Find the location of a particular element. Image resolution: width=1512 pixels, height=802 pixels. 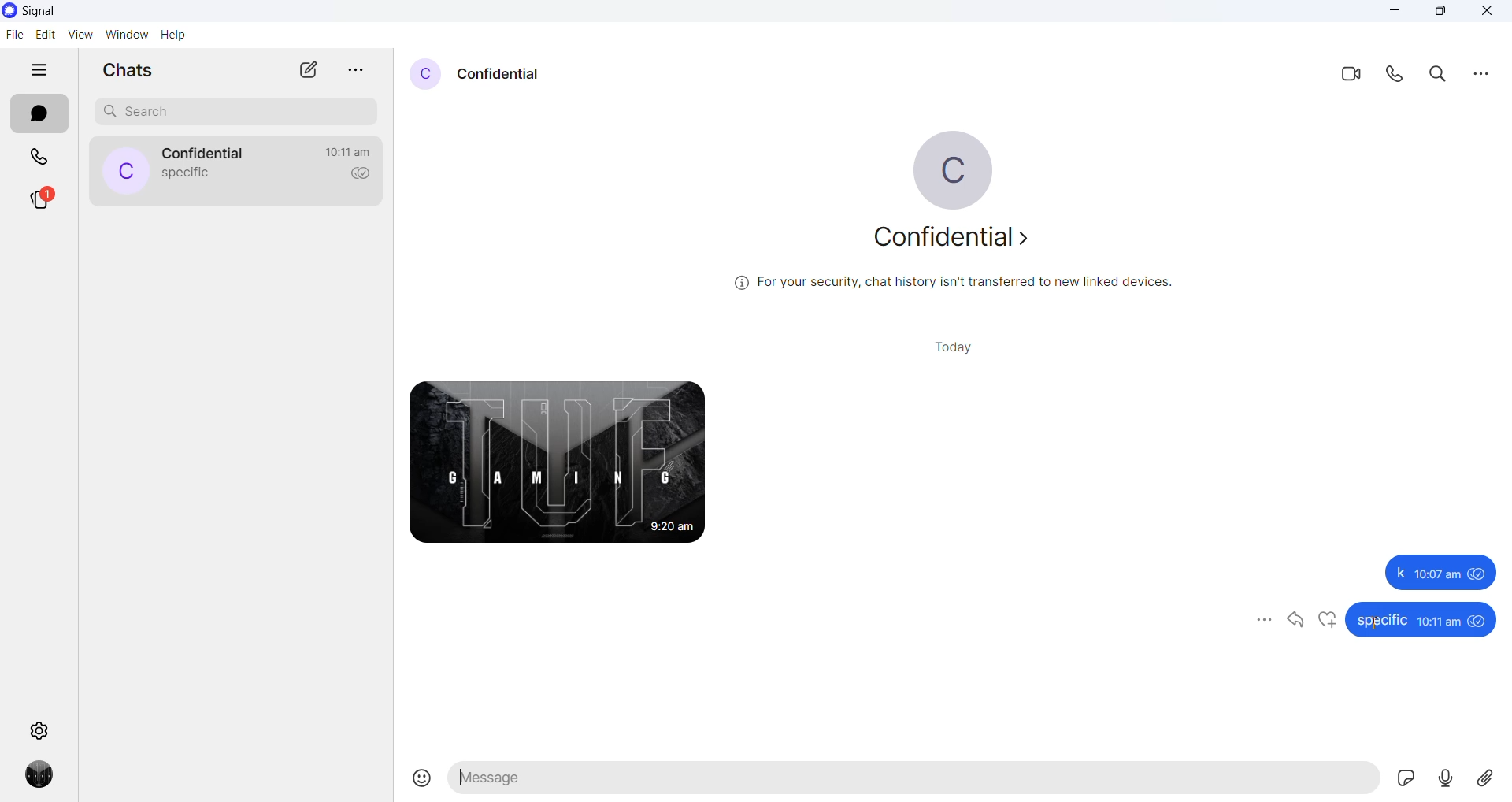

seen is located at coordinates (1479, 622).